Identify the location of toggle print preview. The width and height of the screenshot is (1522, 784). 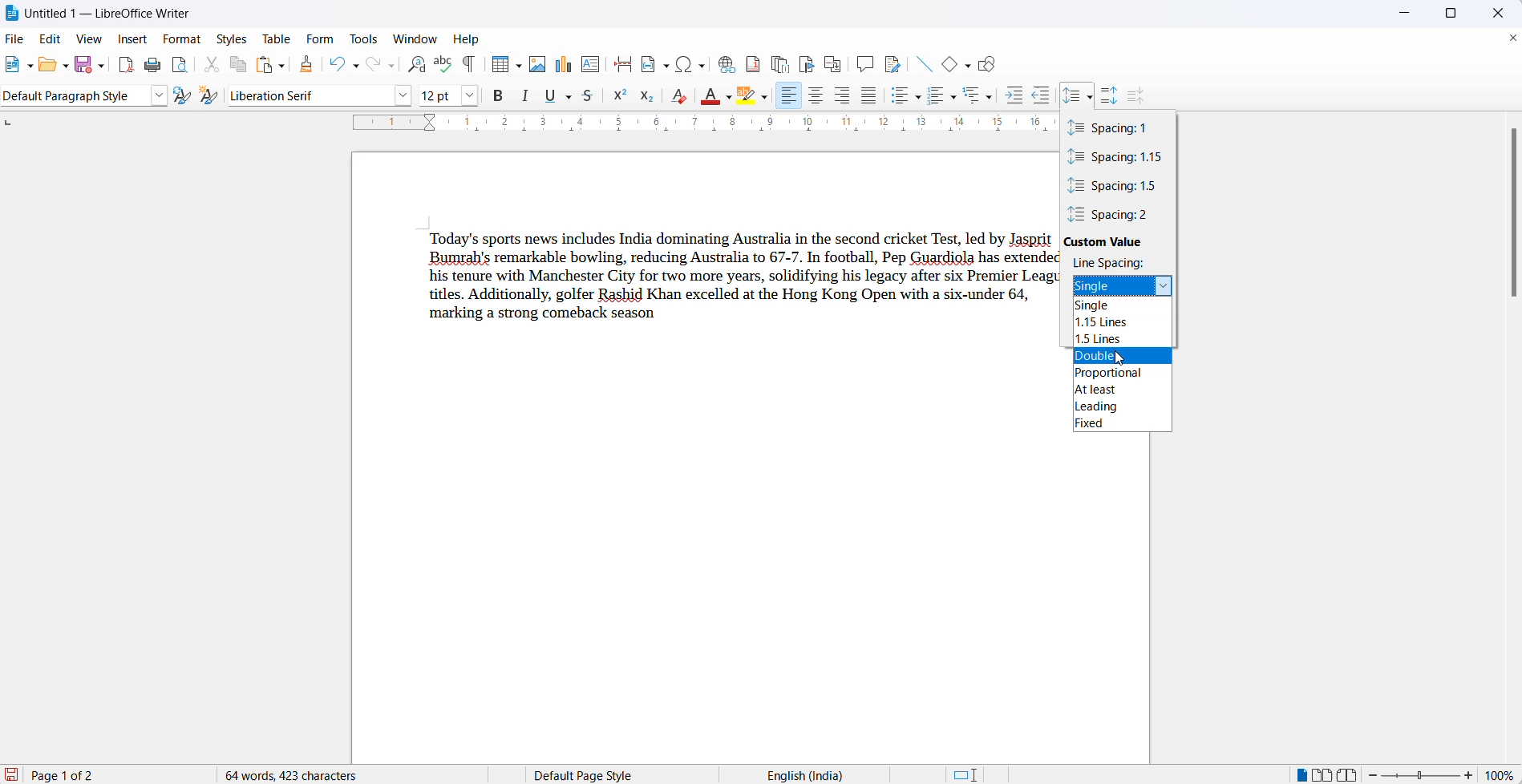
(180, 64).